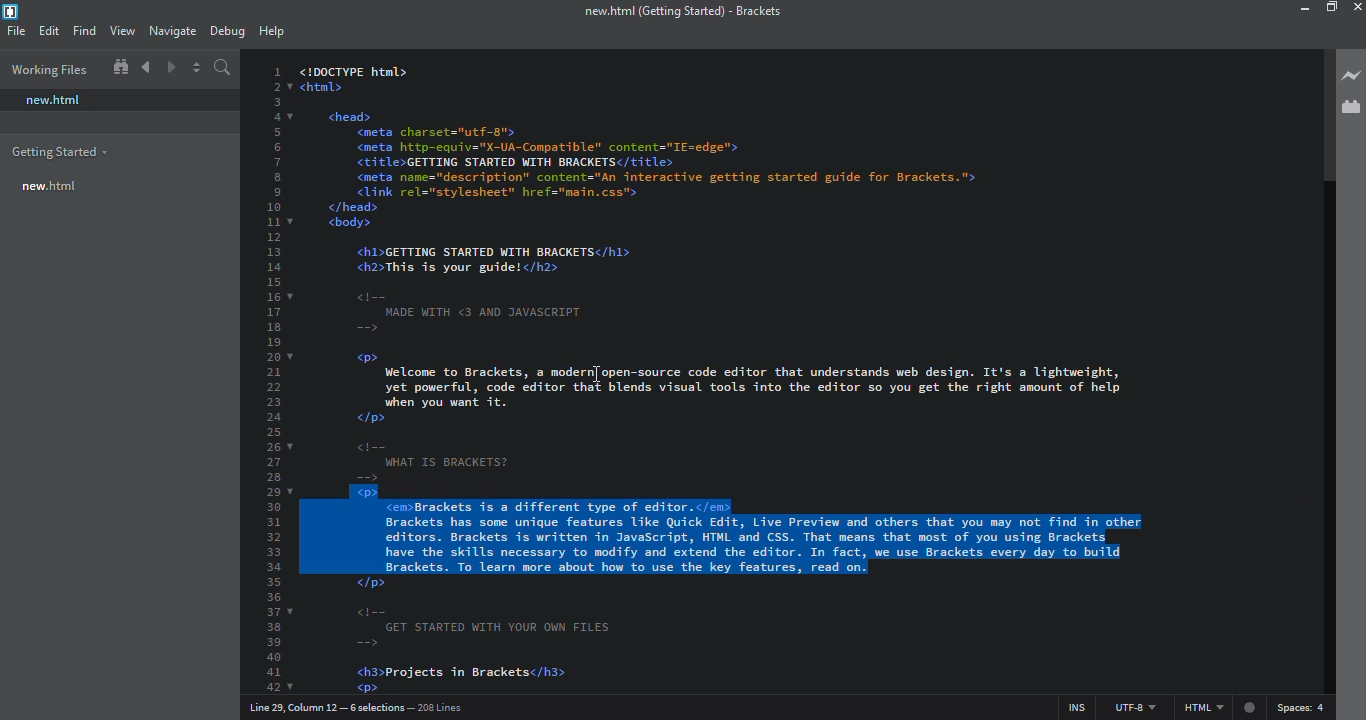  I want to click on getting started, so click(61, 152).